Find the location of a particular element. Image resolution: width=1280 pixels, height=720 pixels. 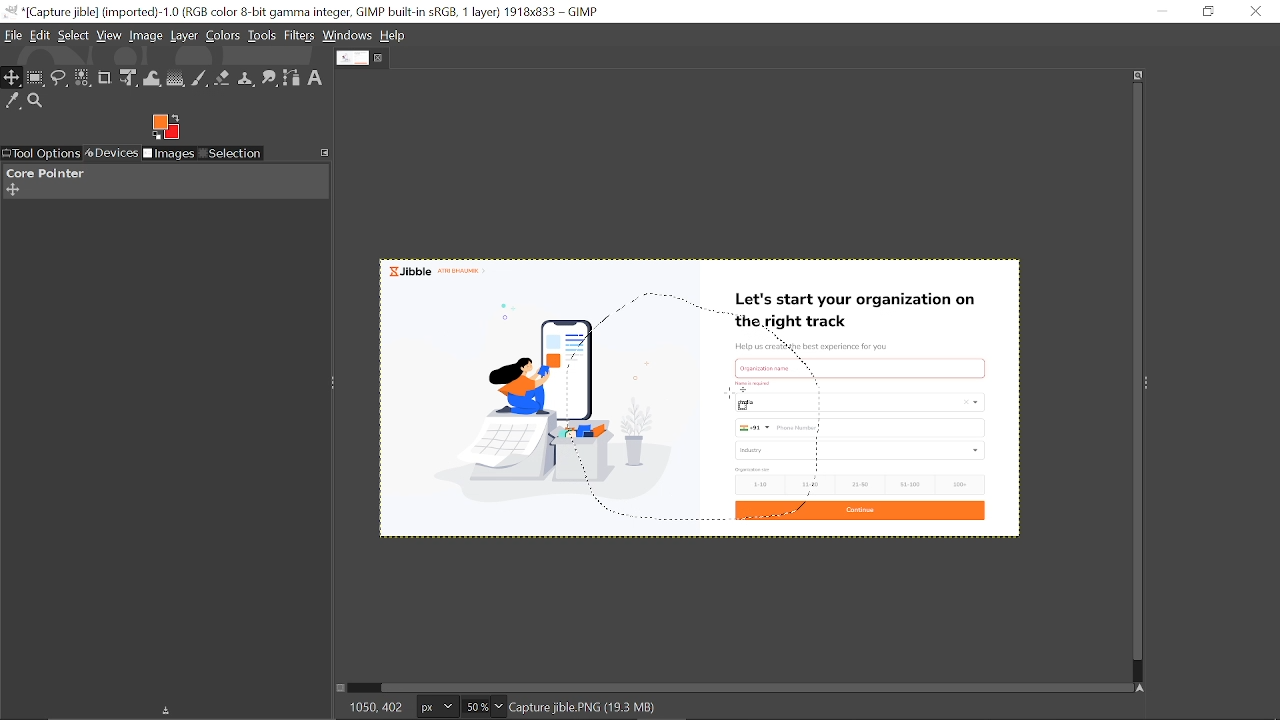

Image unit is located at coordinates (438, 708).